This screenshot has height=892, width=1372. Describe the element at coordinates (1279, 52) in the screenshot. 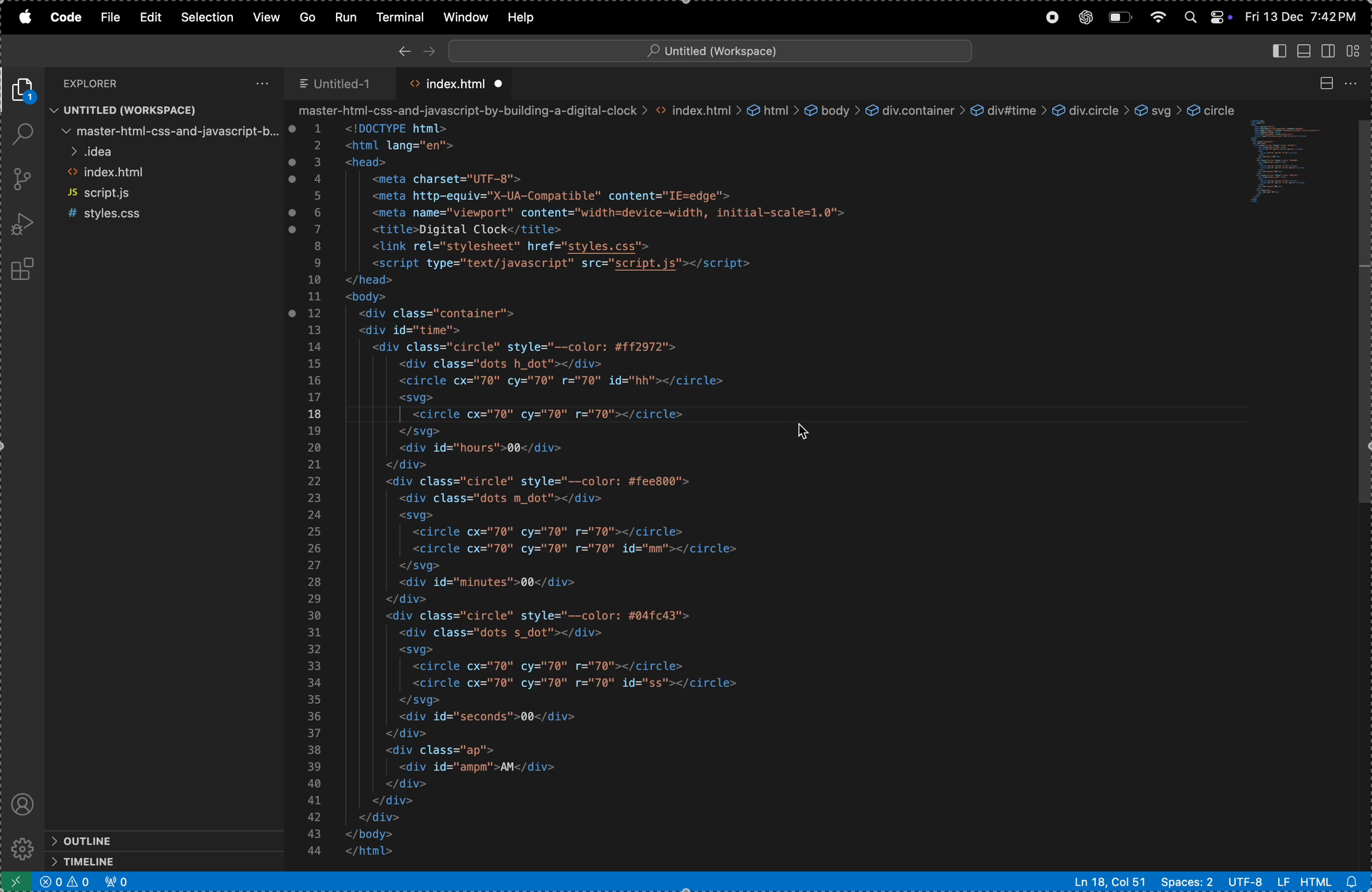

I see `toggle primary side bar` at that location.